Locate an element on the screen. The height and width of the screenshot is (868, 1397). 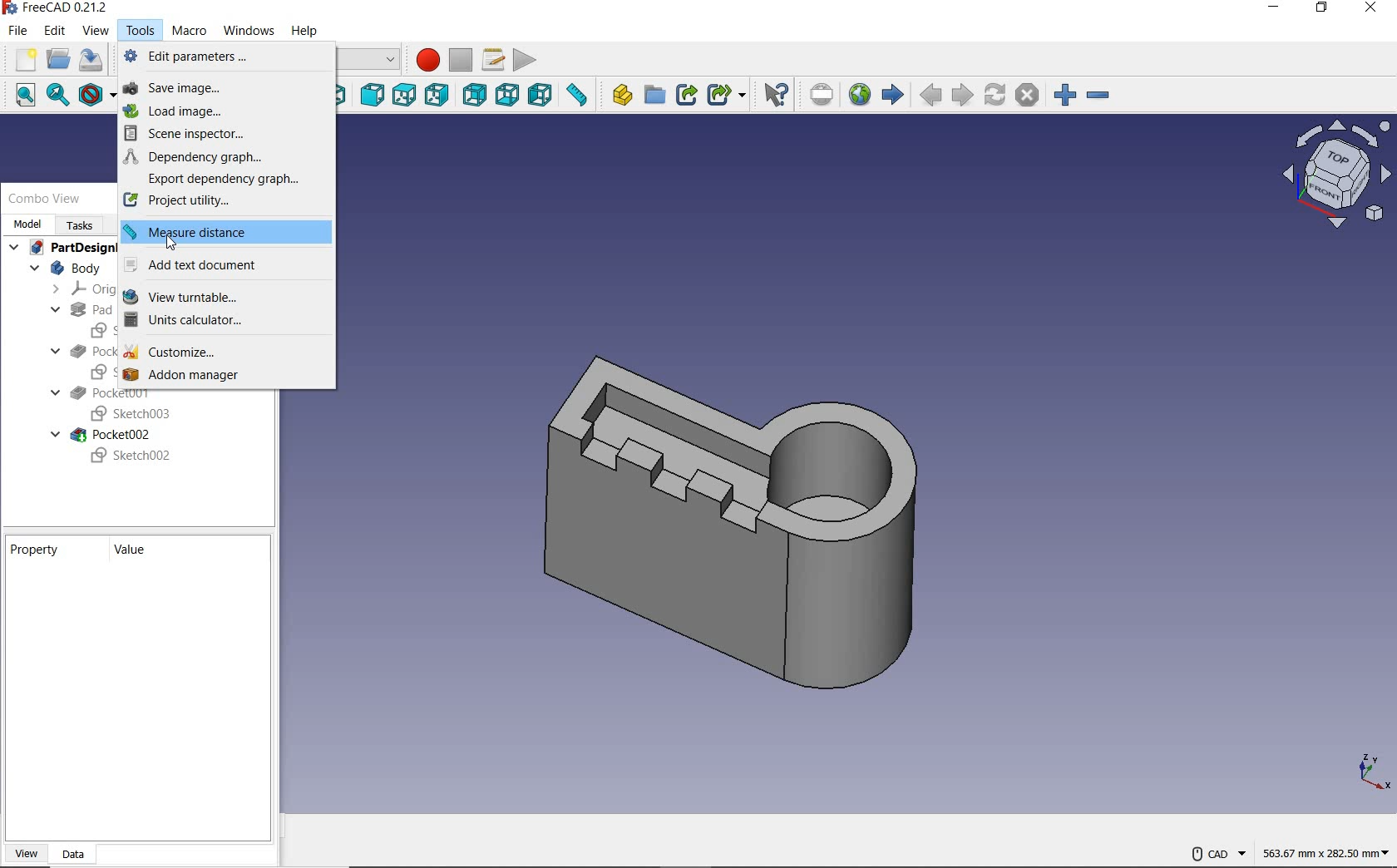
SKETCH003 is located at coordinates (128, 415).